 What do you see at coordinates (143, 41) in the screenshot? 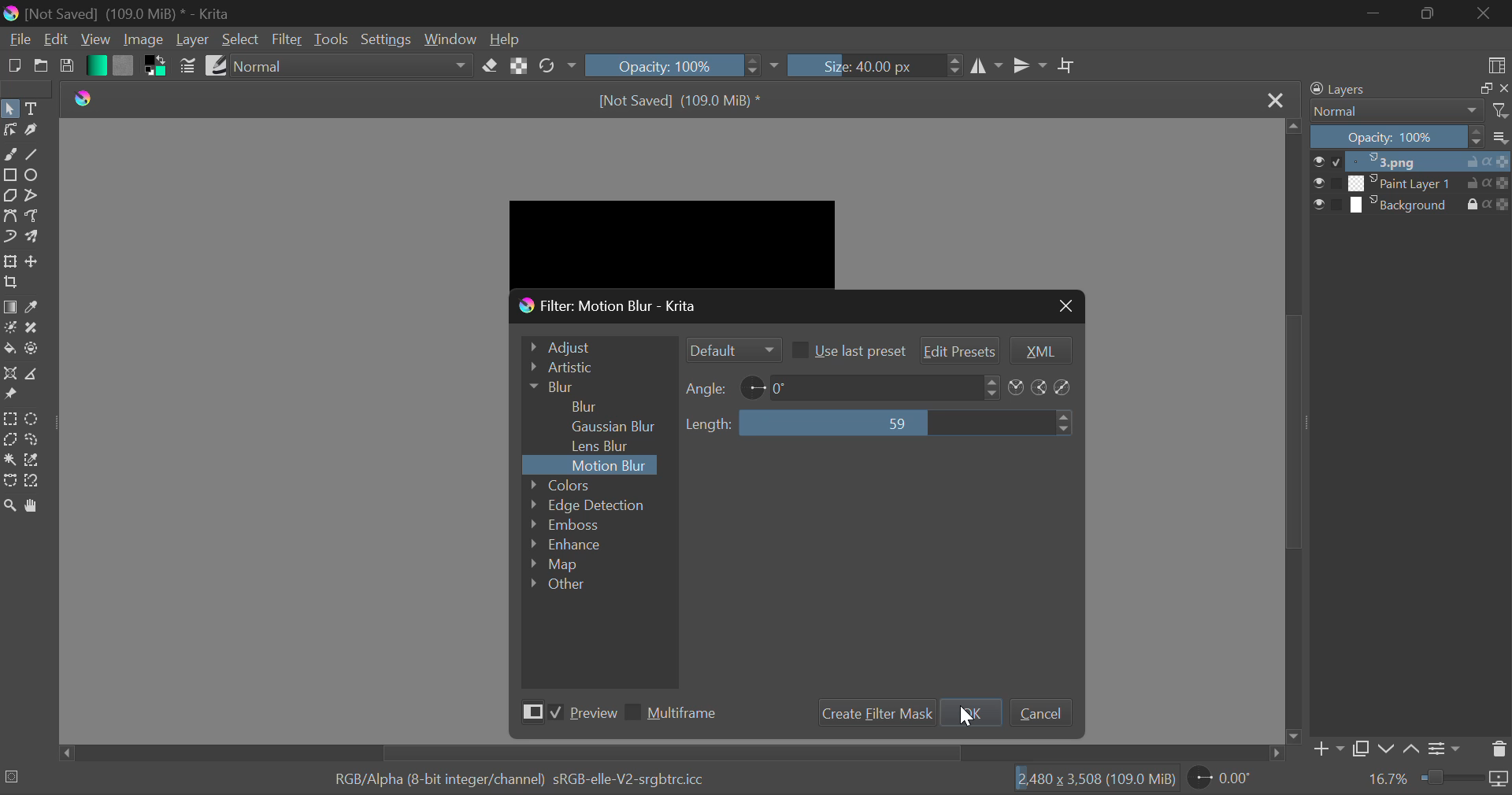
I see `Image` at bounding box center [143, 41].